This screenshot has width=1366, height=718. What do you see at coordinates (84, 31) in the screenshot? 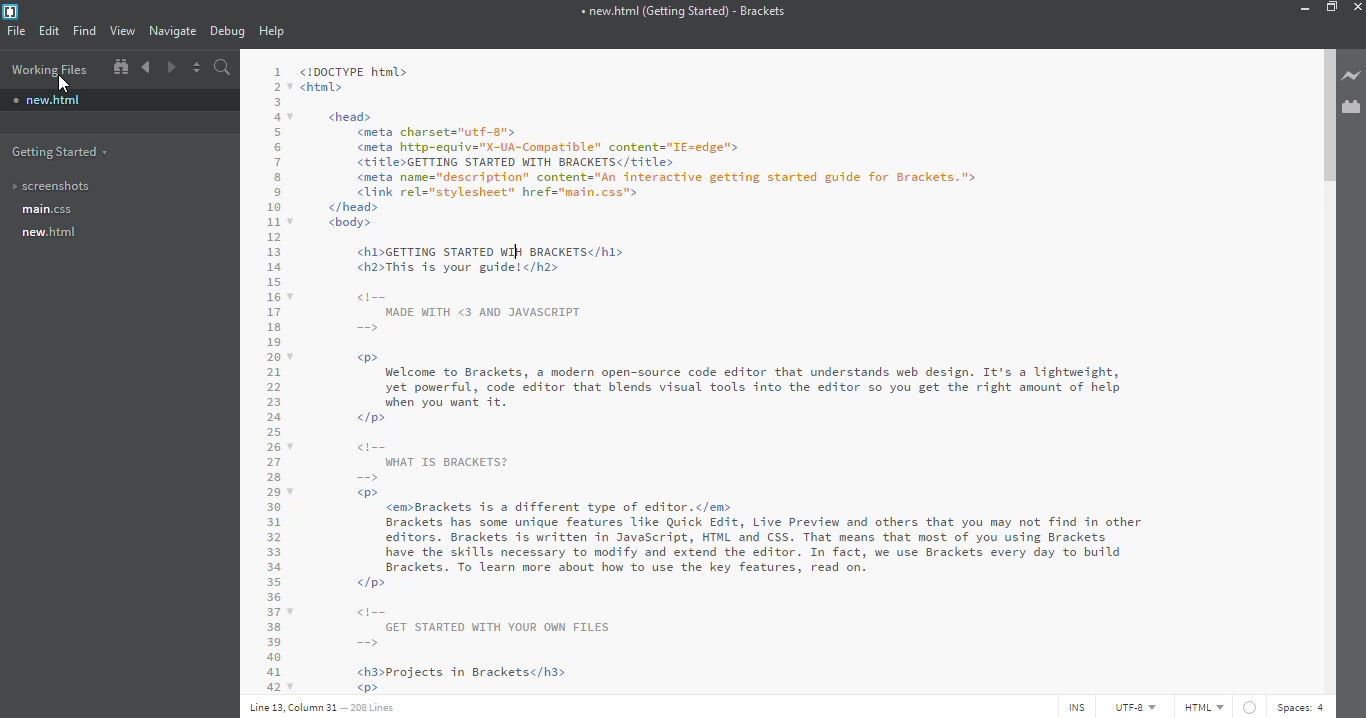
I see `find` at bounding box center [84, 31].